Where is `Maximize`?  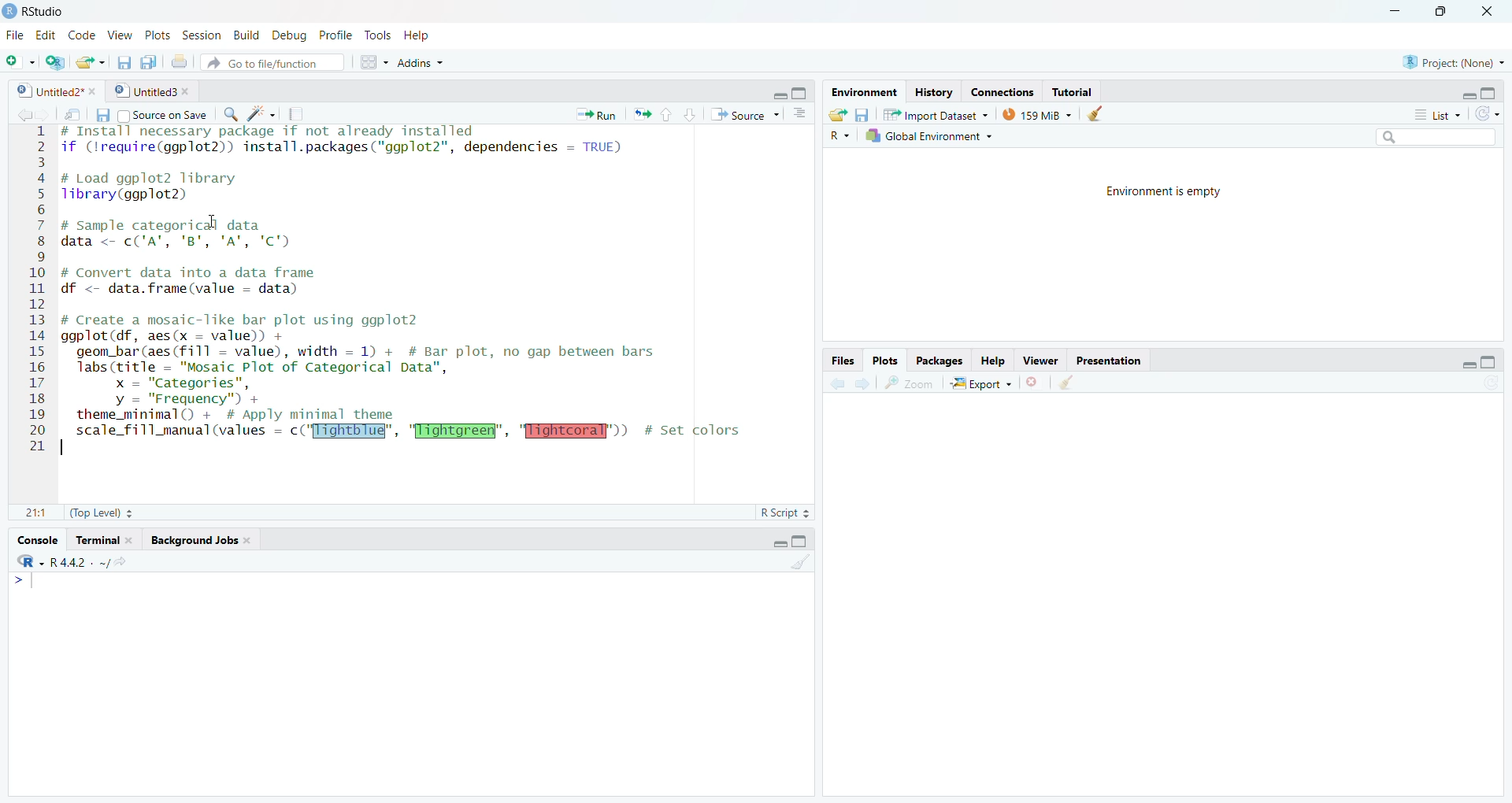 Maximize is located at coordinates (1490, 364).